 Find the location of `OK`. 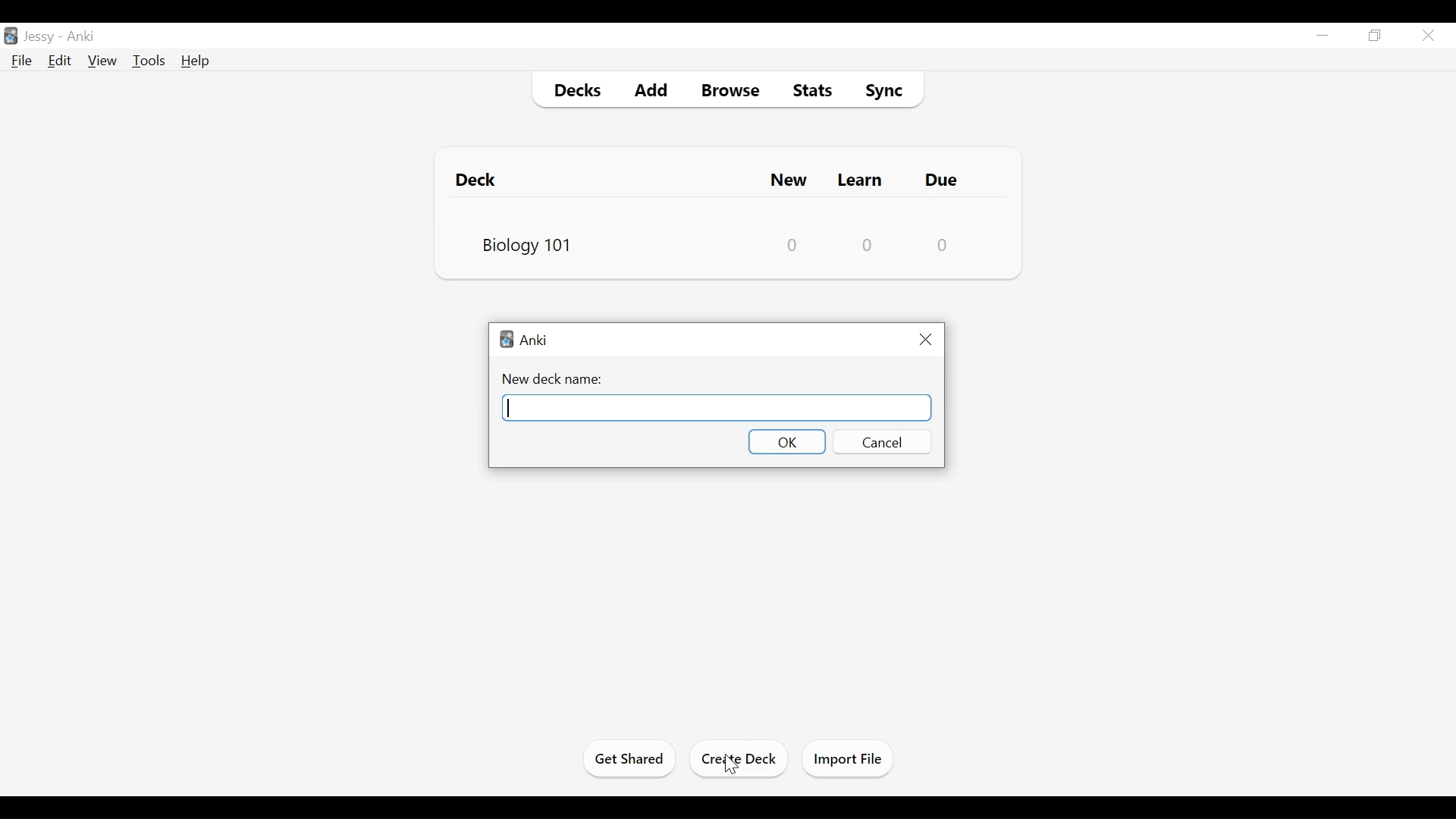

OK is located at coordinates (786, 442).